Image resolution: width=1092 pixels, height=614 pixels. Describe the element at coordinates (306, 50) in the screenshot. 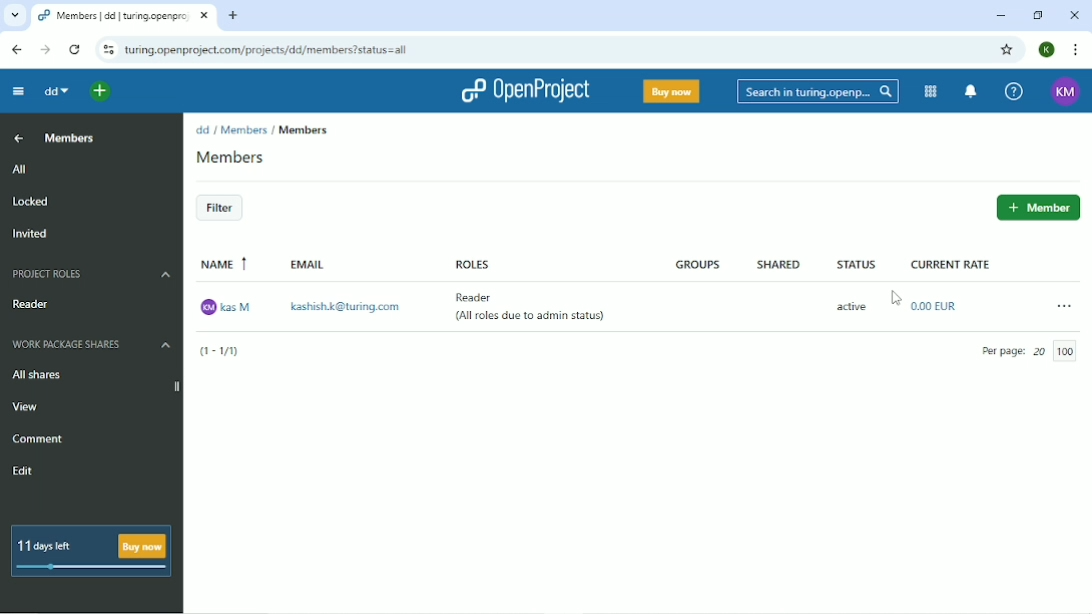

I see `Site` at that location.